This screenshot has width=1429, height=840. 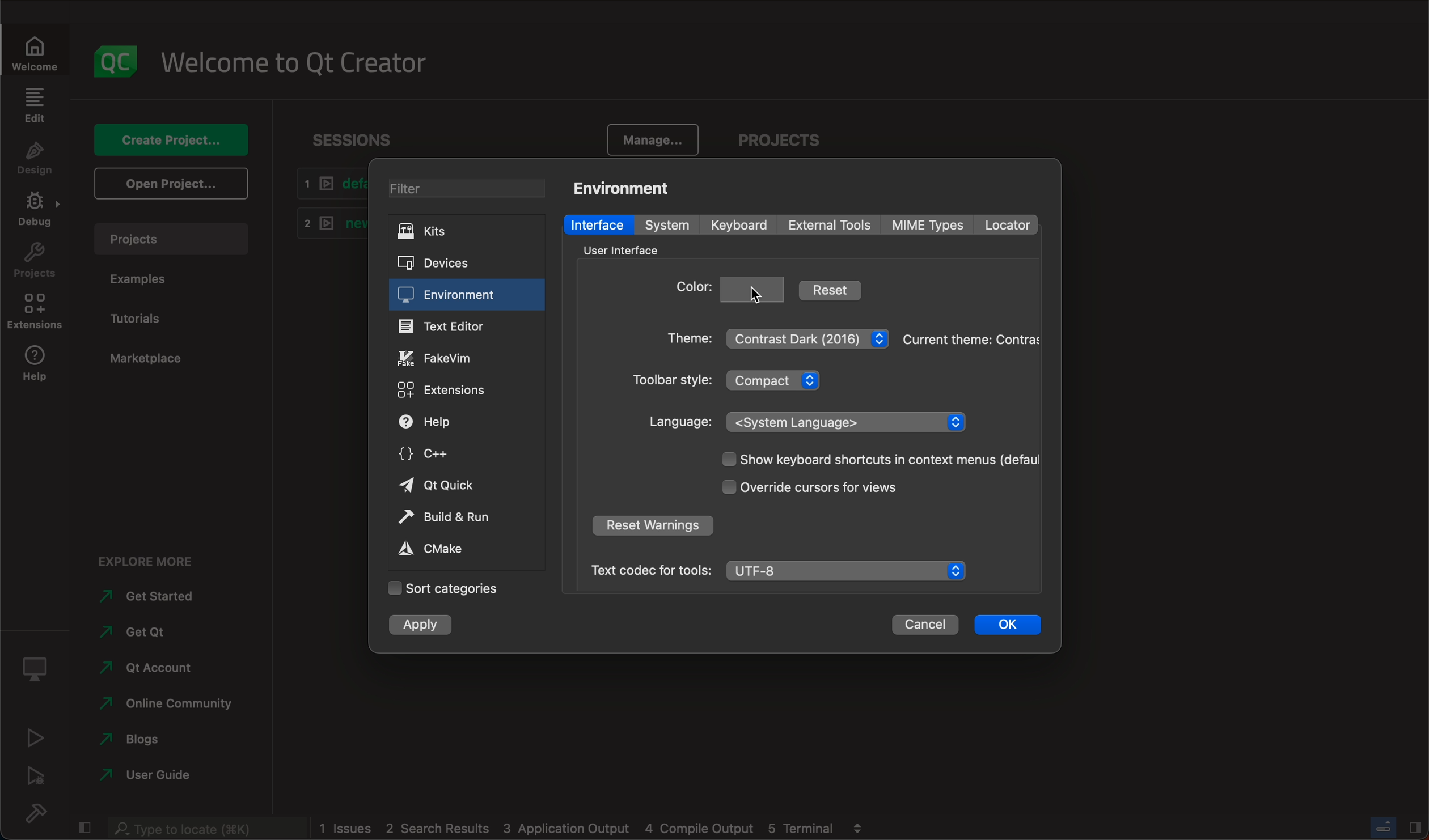 I want to click on qt, so click(x=145, y=667).